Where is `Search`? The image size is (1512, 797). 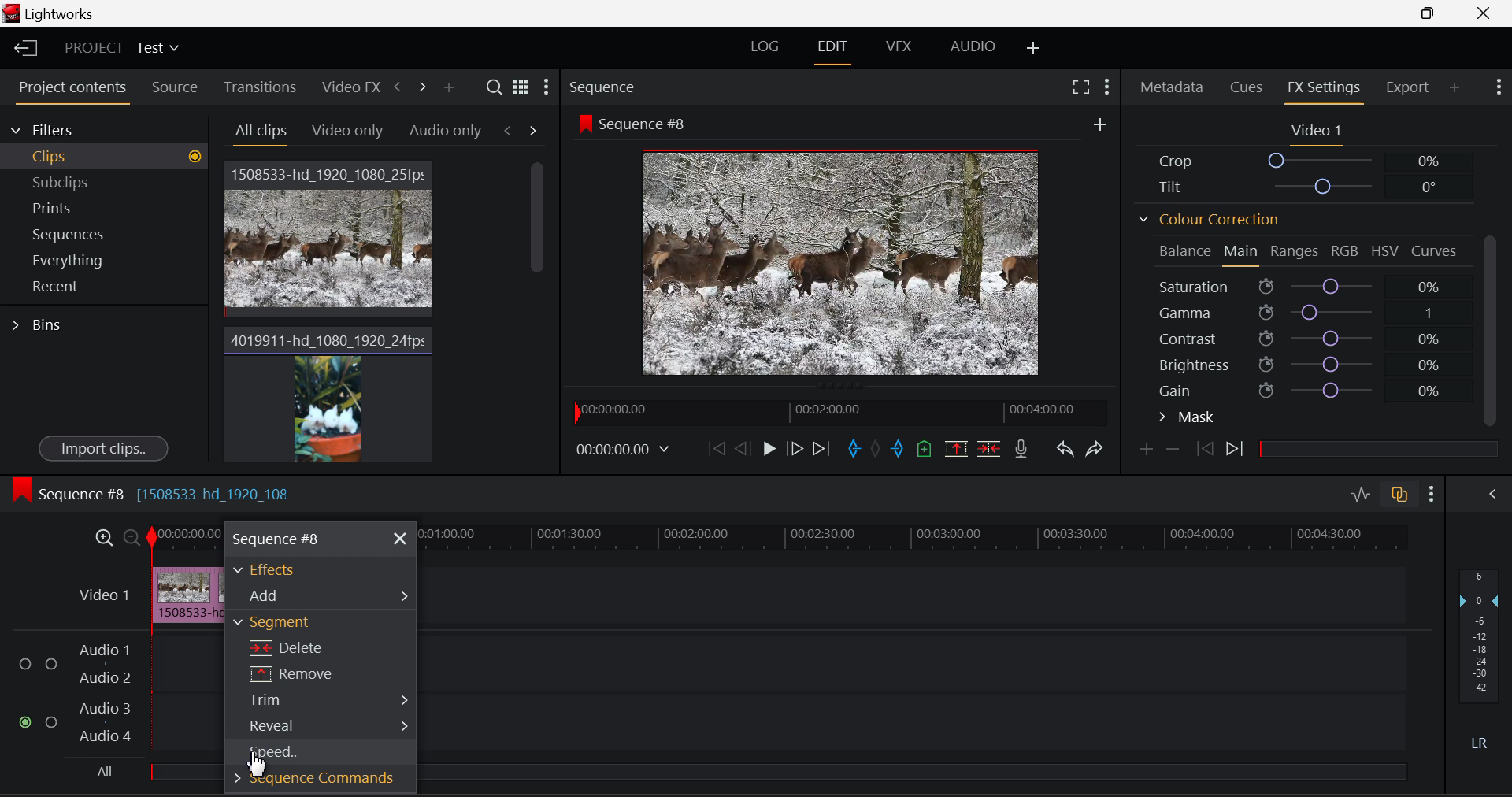
Search is located at coordinates (492, 87).